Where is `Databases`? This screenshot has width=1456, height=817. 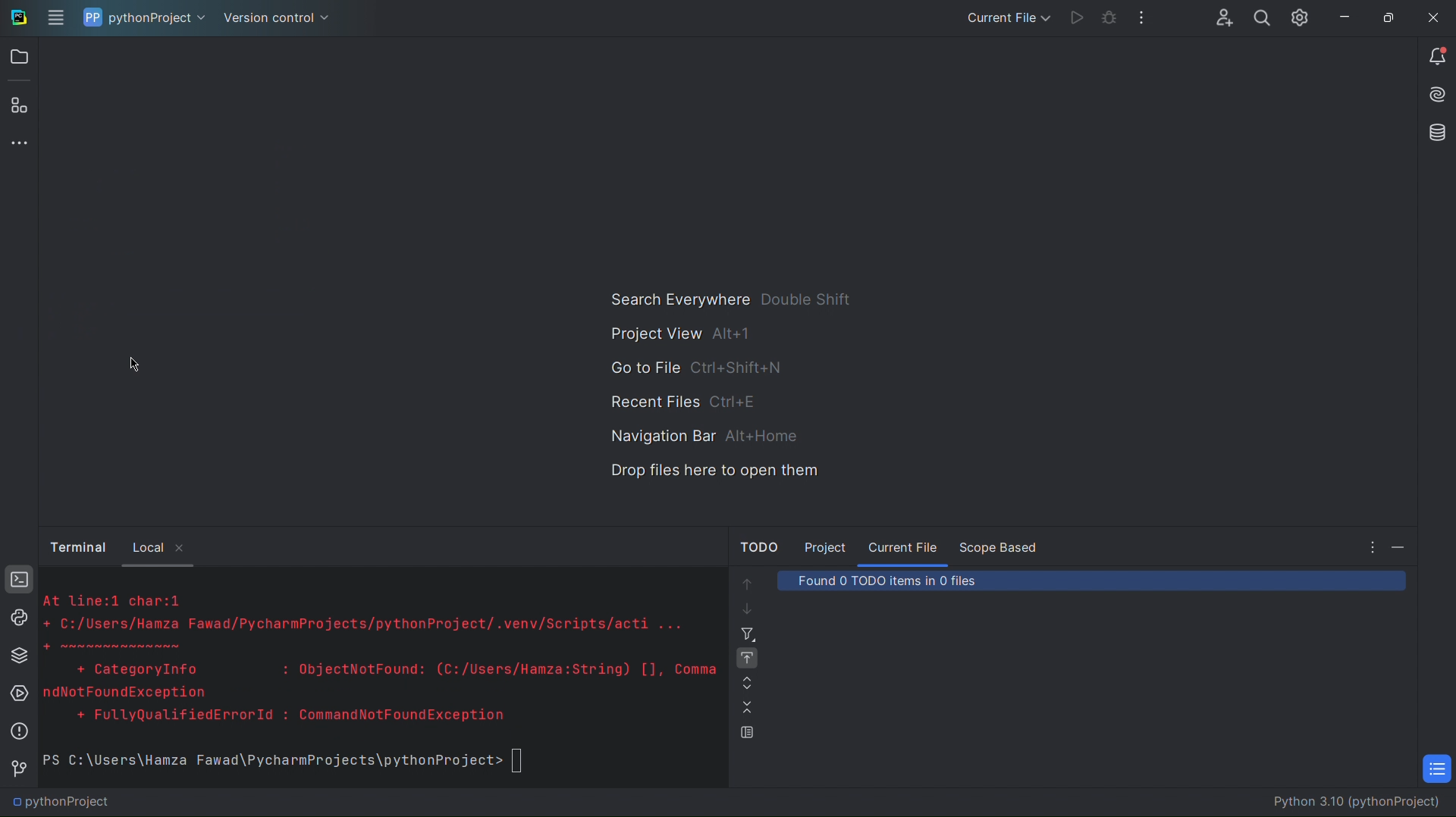
Databases is located at coordinates (1434, 133).